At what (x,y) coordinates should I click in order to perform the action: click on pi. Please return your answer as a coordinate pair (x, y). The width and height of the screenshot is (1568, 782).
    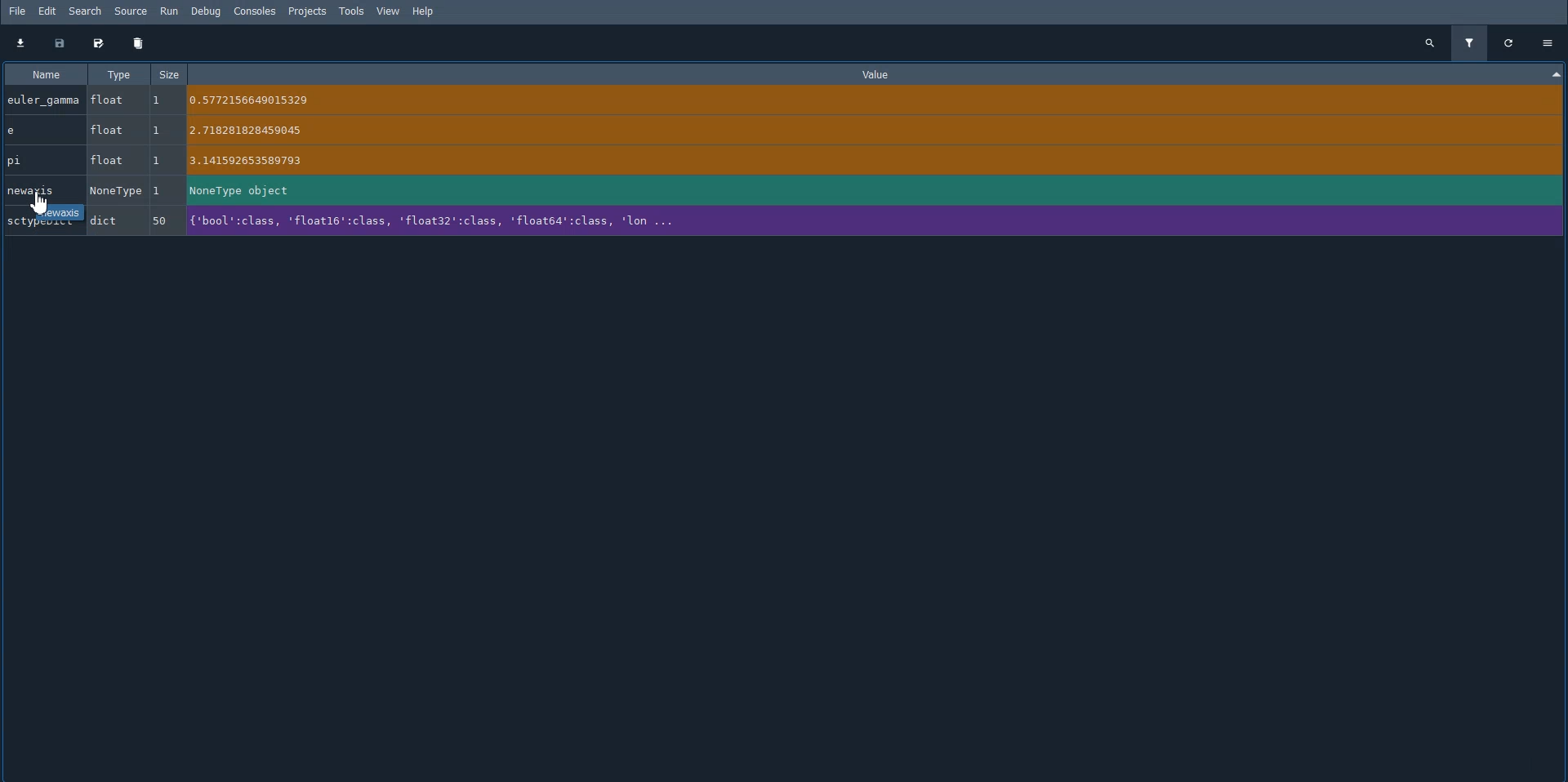
    Looking at the image, I should click on (784, 160).